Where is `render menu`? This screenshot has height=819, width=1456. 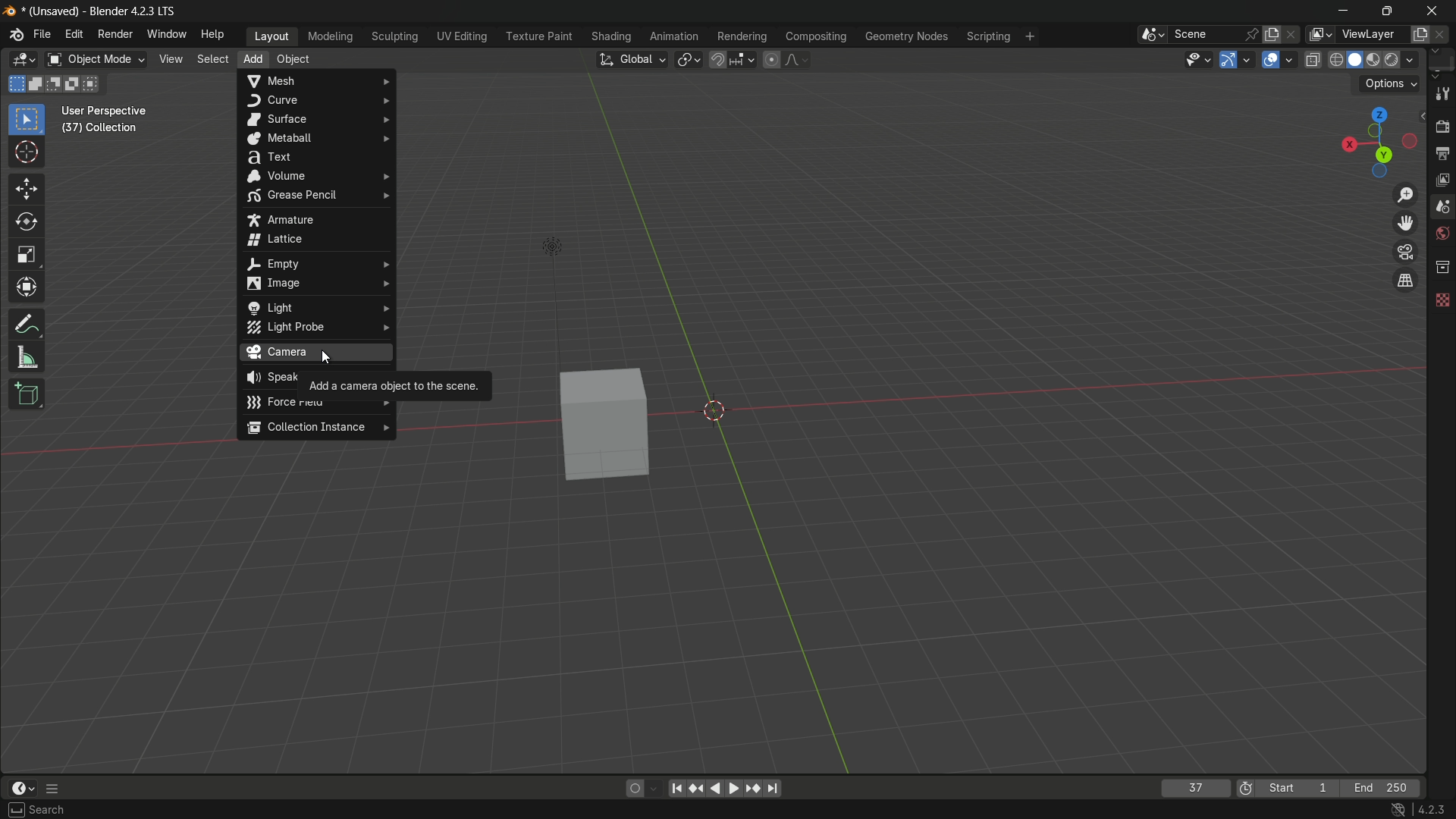
render menu is located at coordinates (113, 35).